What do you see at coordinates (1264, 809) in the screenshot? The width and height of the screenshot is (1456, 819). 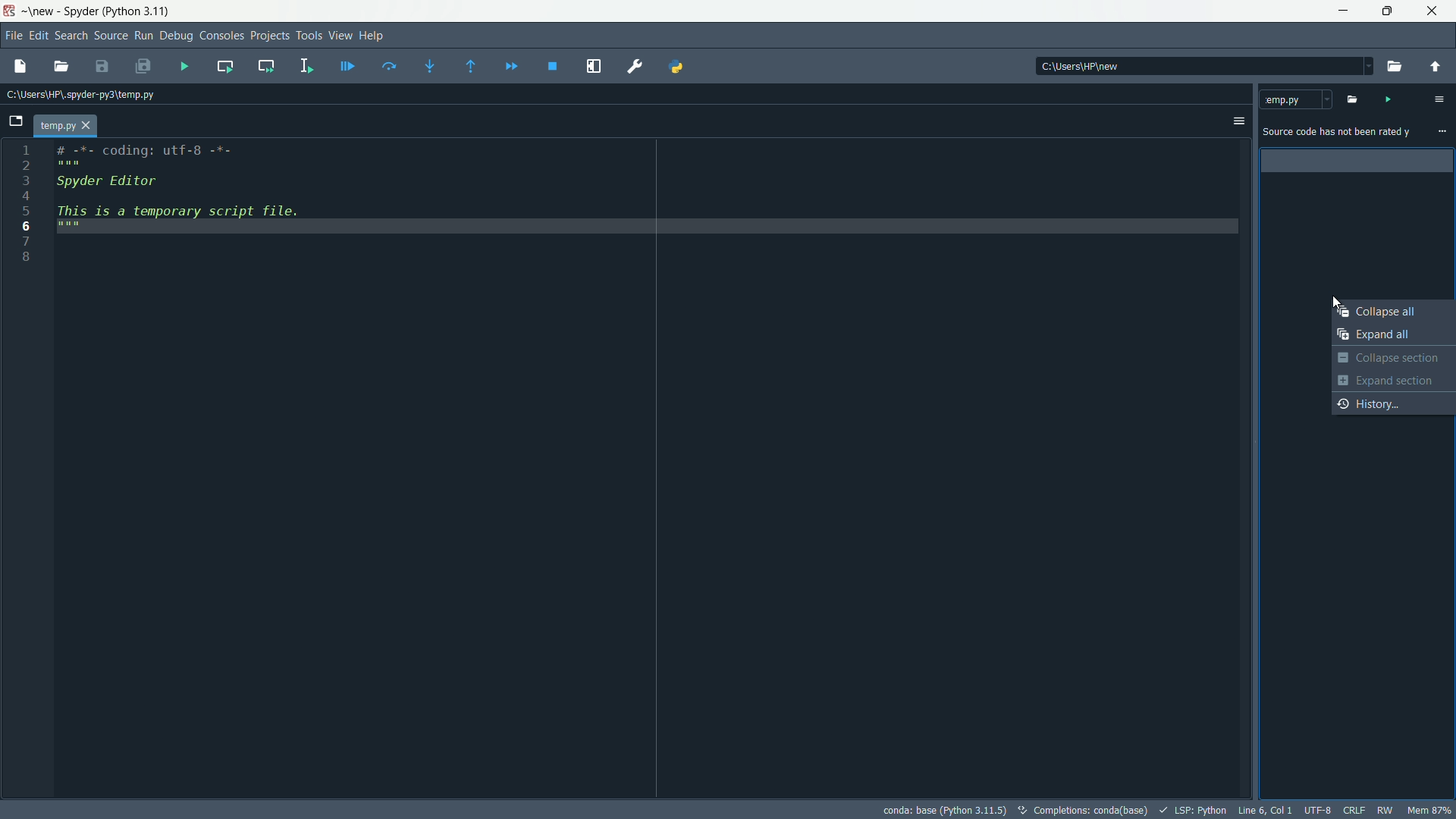 I see `cursor position` at bounding box center [1264, 809].